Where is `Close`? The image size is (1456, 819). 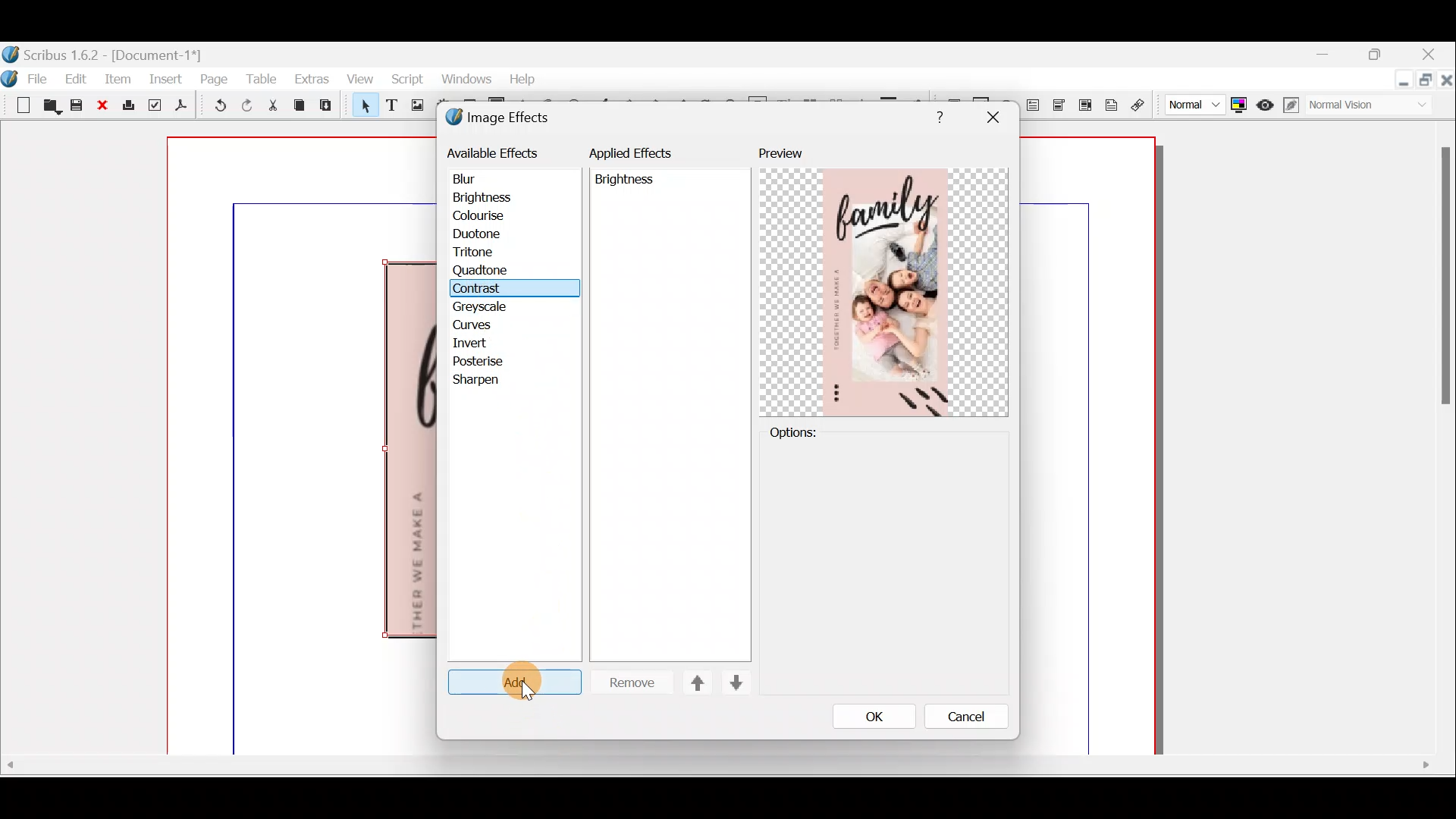 Close is located at coordinates (107, 106).